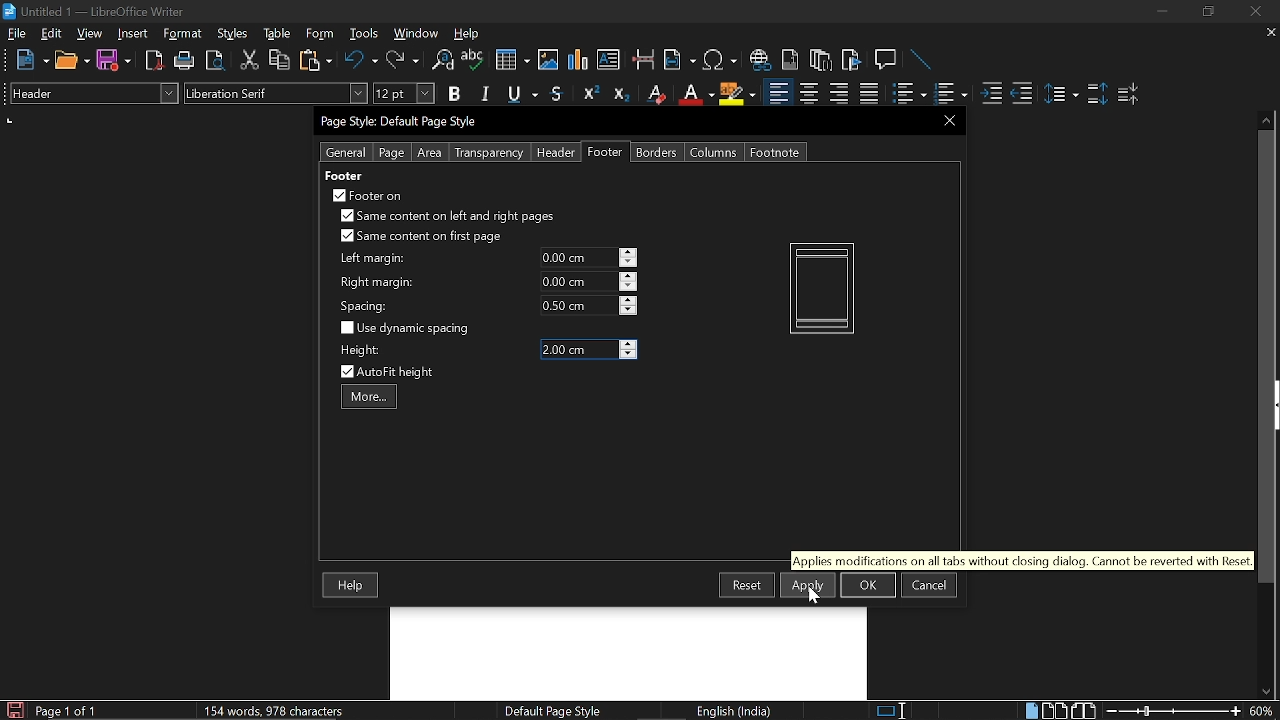  What do you see at coordinates (454, 96) in the screenshot?
I see `Bold` at bounding box center [454, 96].